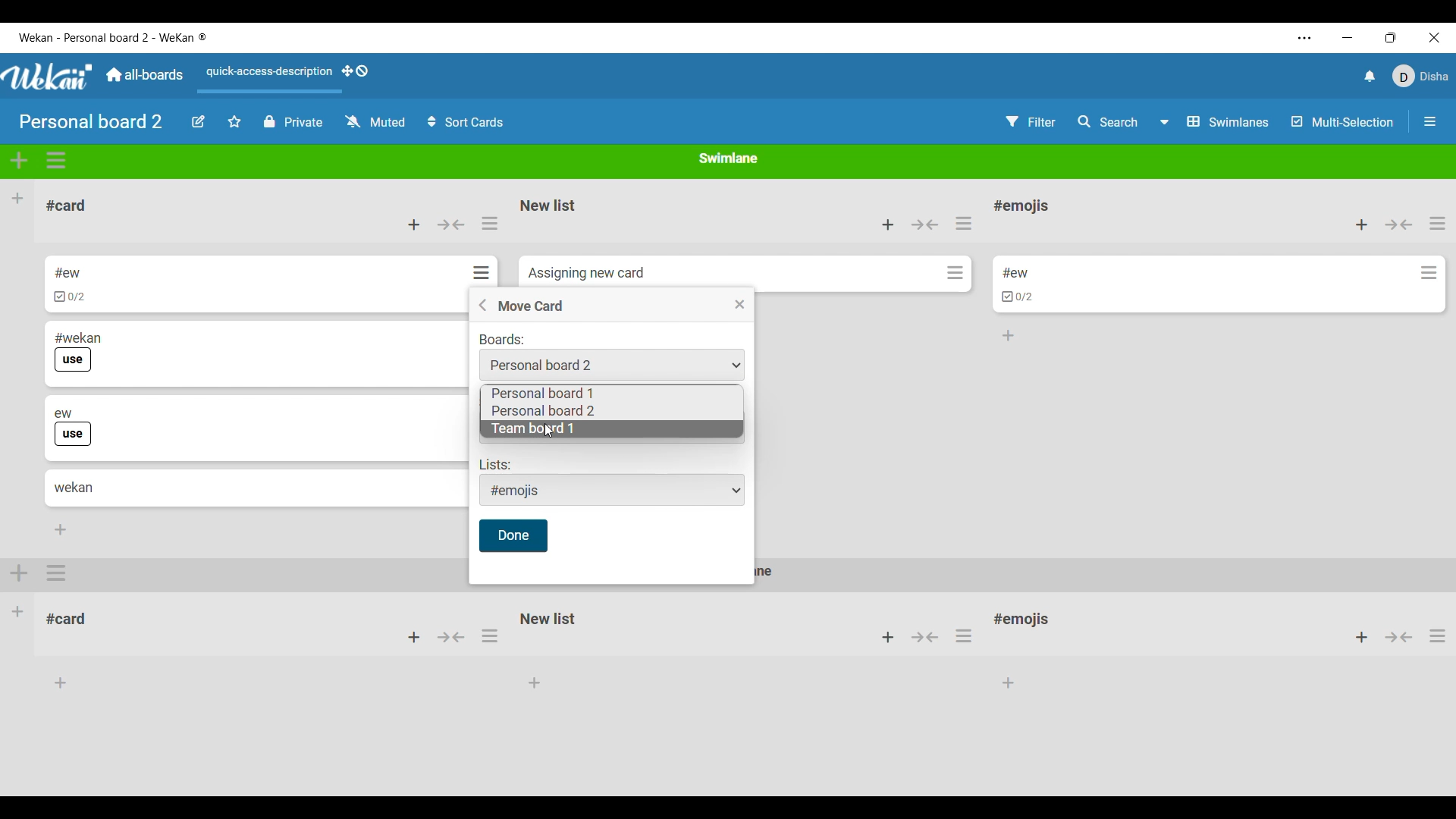 Image resolution: width=1456 pixels, height=819 pixels. I want to click on Indicates list options, so click(494, 464).